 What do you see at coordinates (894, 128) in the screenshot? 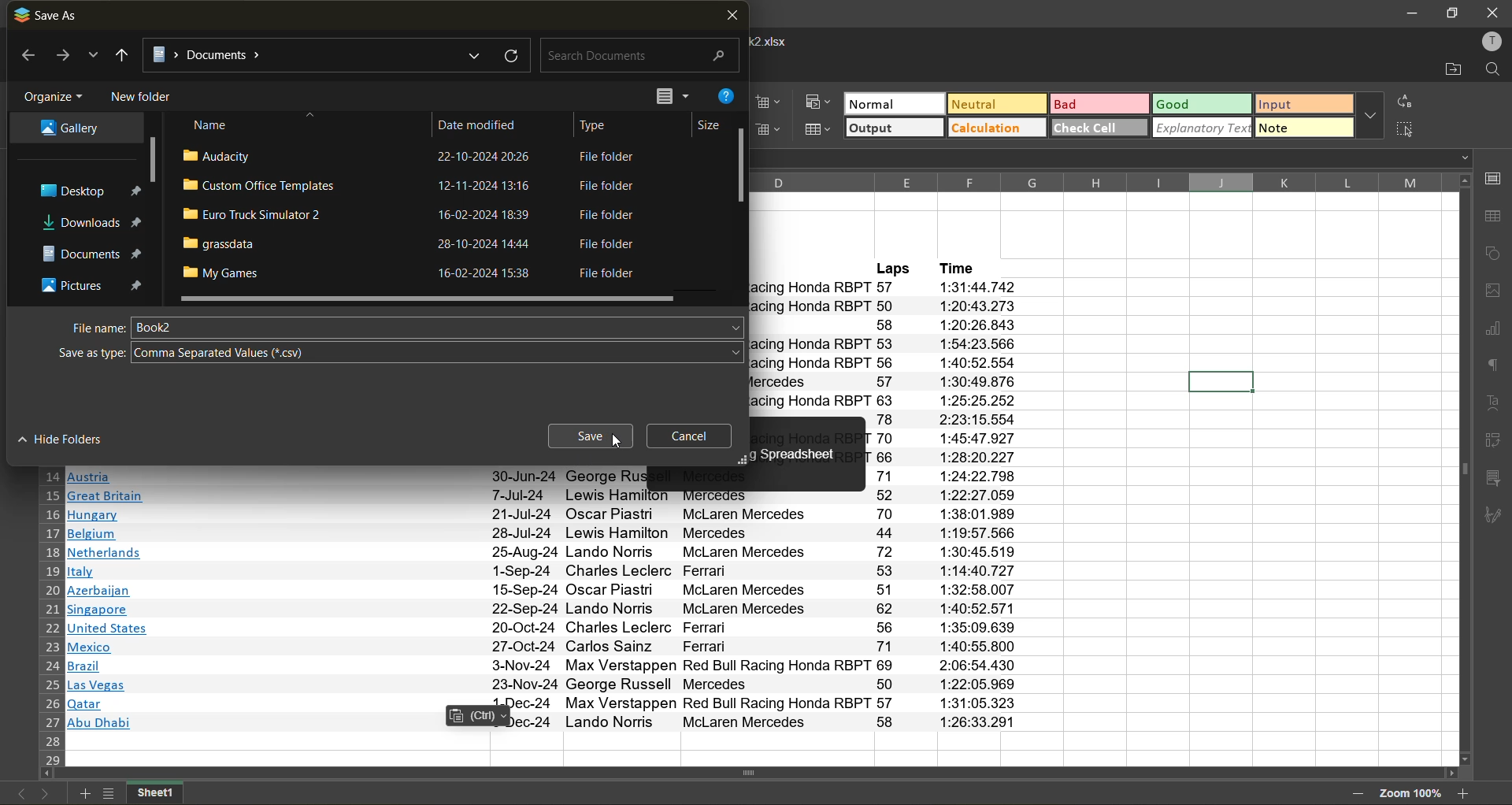
I see `output` at bounding box center [894, 128].